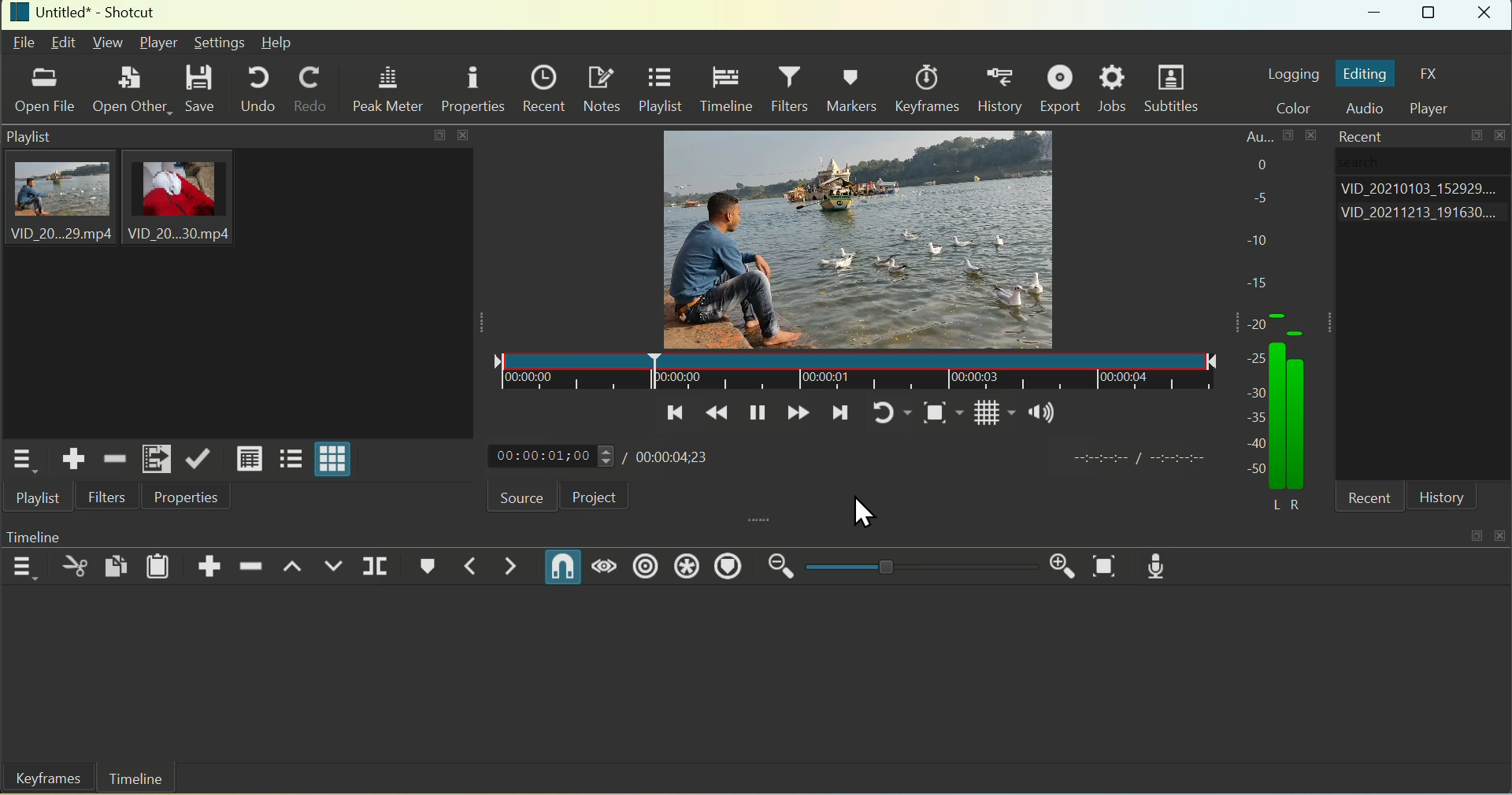  I want to click on Properties, so click(472, 87).